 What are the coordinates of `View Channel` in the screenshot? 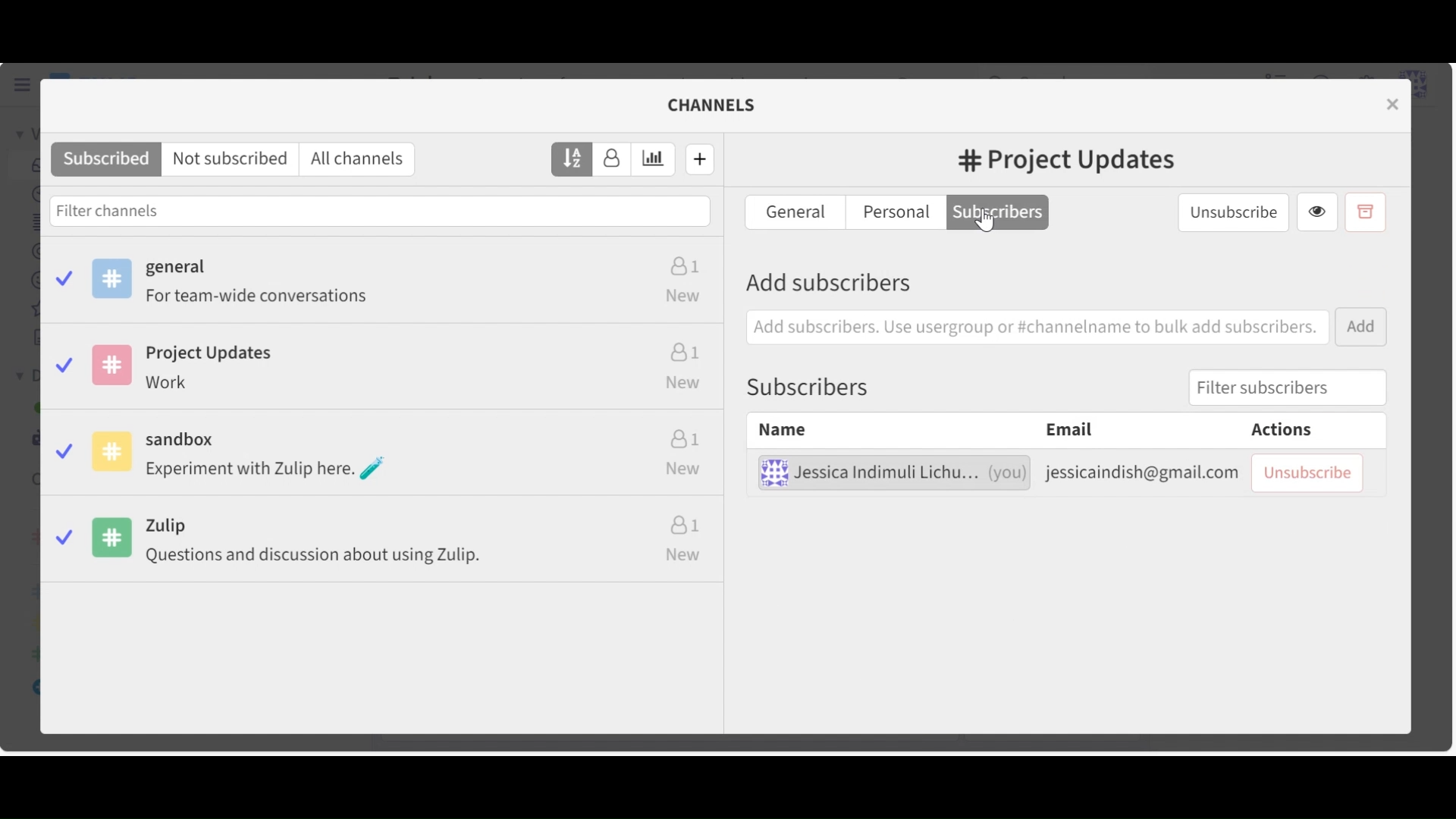 It's located at (1316, 213).